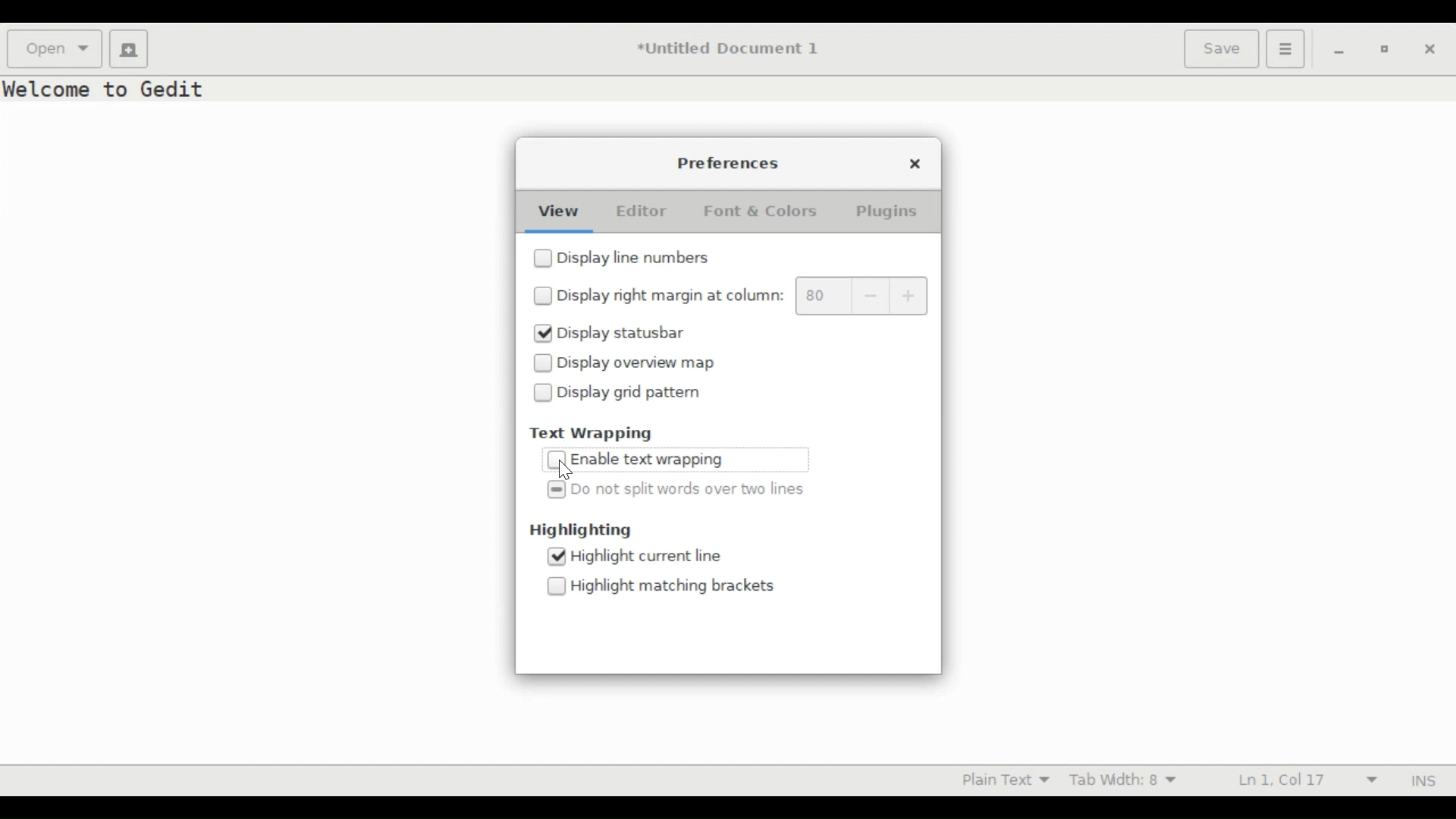  What do you see at coordinates (821, 296) in the screenshot?
I see `margin value` at bounding box center [821, 296].